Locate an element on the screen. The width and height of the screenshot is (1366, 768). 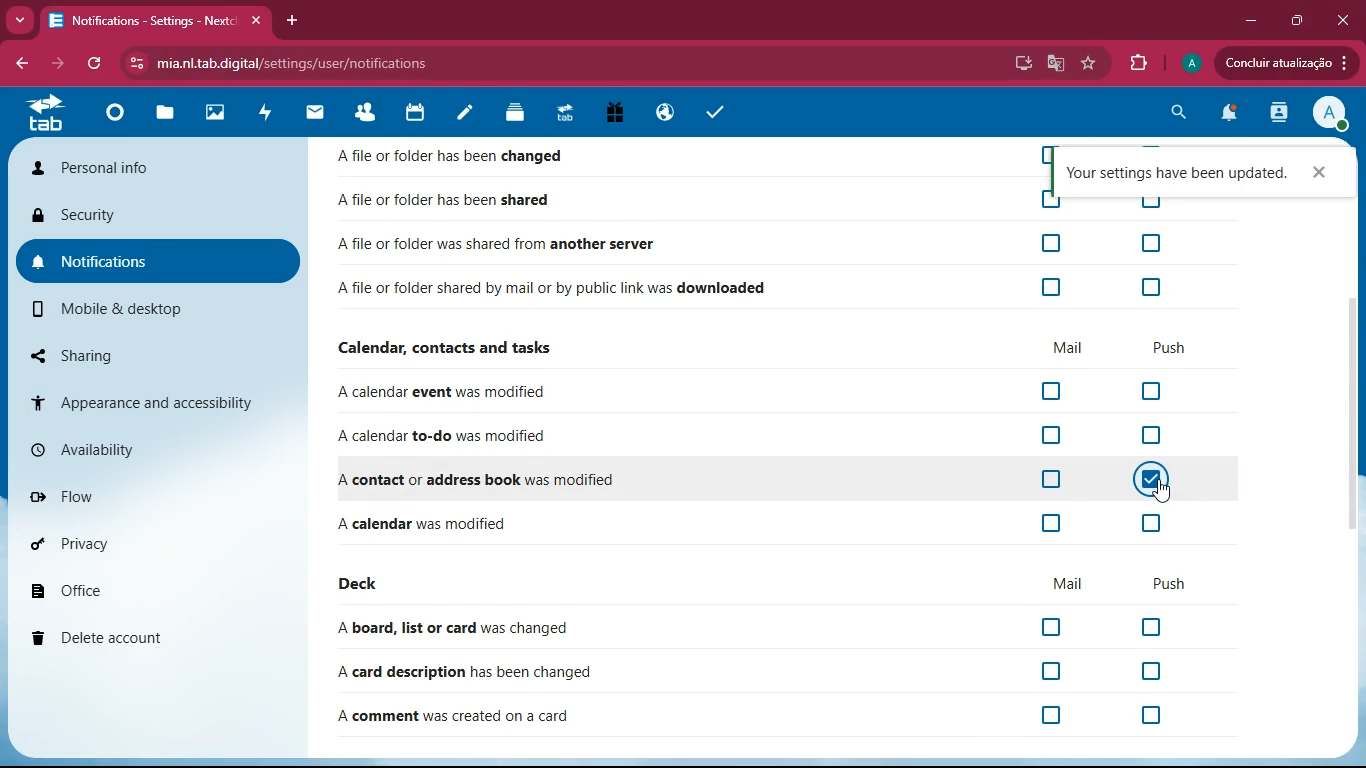
tab is located at coordinates (44, 114).